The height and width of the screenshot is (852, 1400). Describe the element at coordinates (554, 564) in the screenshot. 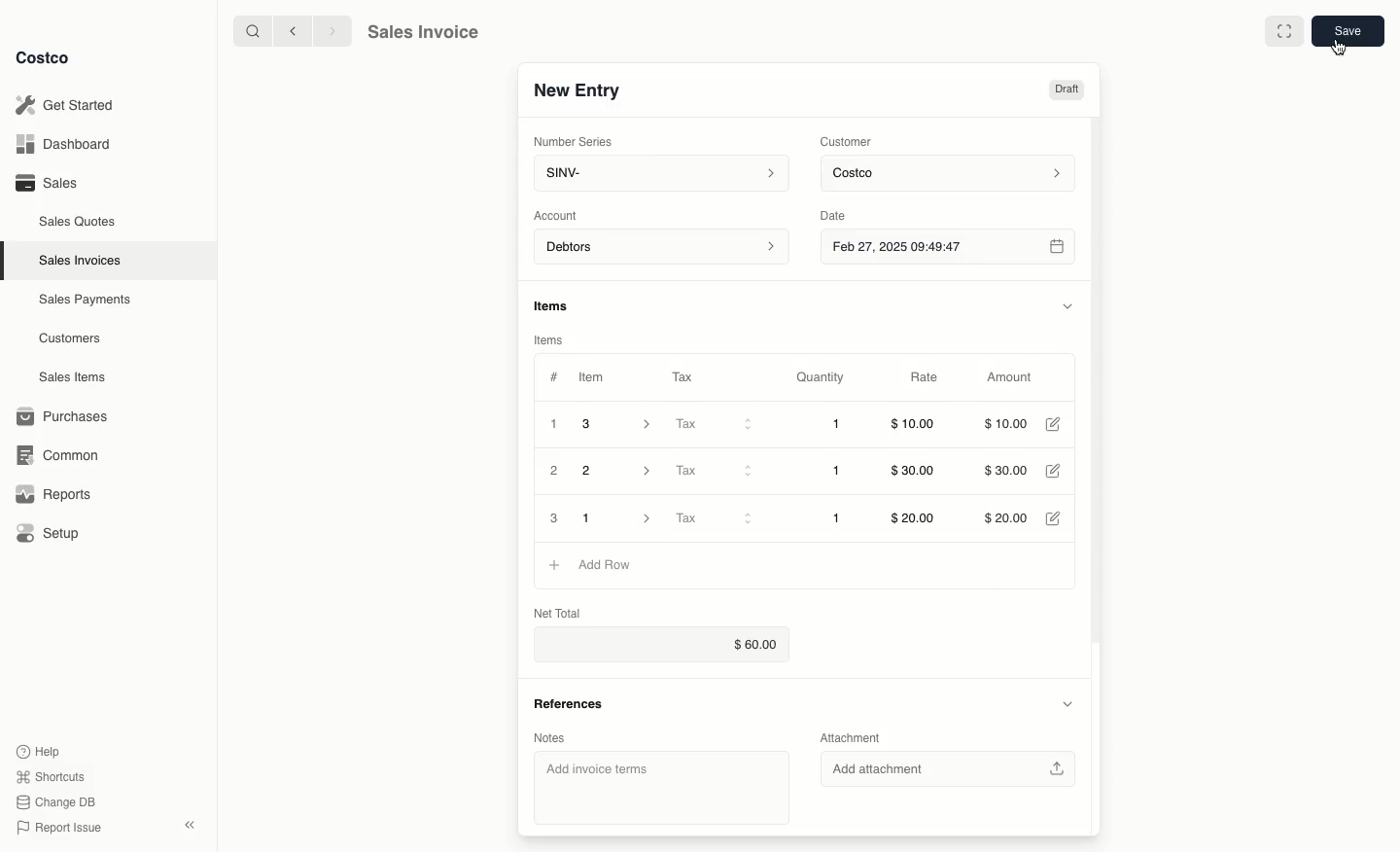

I see `Add` at that location.